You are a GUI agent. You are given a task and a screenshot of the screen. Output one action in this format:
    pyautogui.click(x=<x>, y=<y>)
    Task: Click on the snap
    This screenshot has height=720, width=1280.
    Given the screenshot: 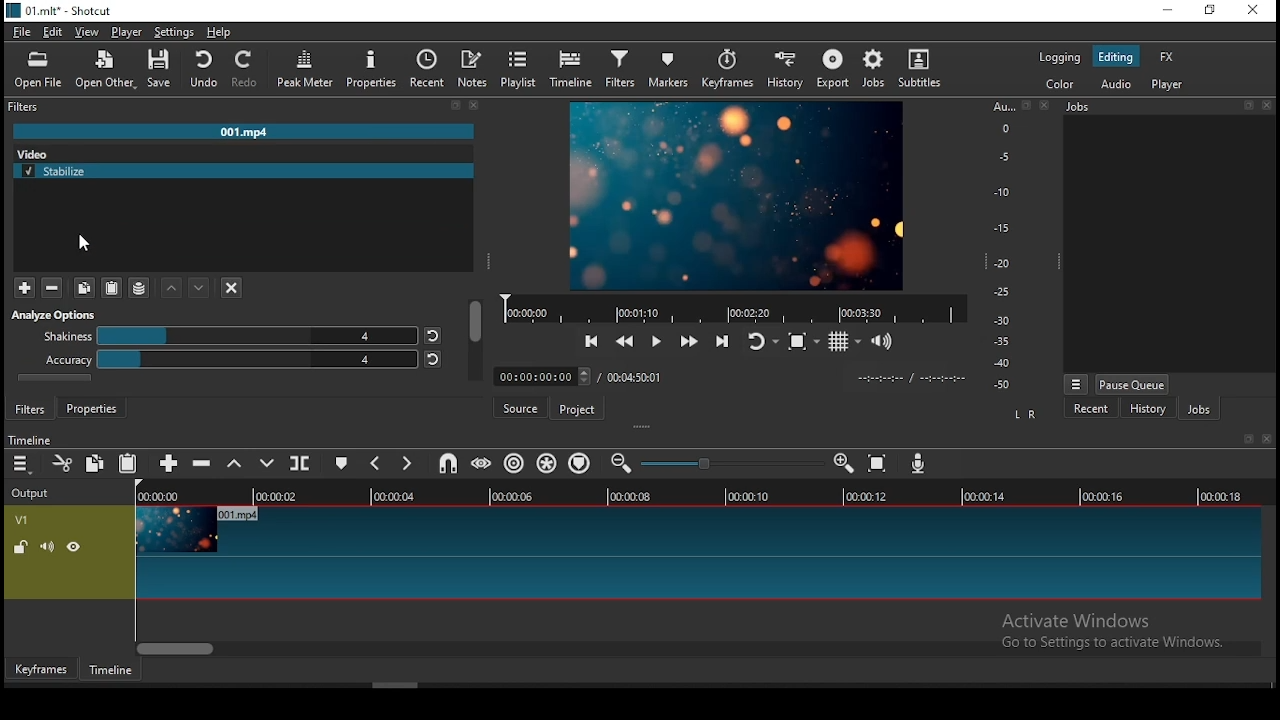 What is the action you would take?
    pyautogui.click(x=449, y=463)
    